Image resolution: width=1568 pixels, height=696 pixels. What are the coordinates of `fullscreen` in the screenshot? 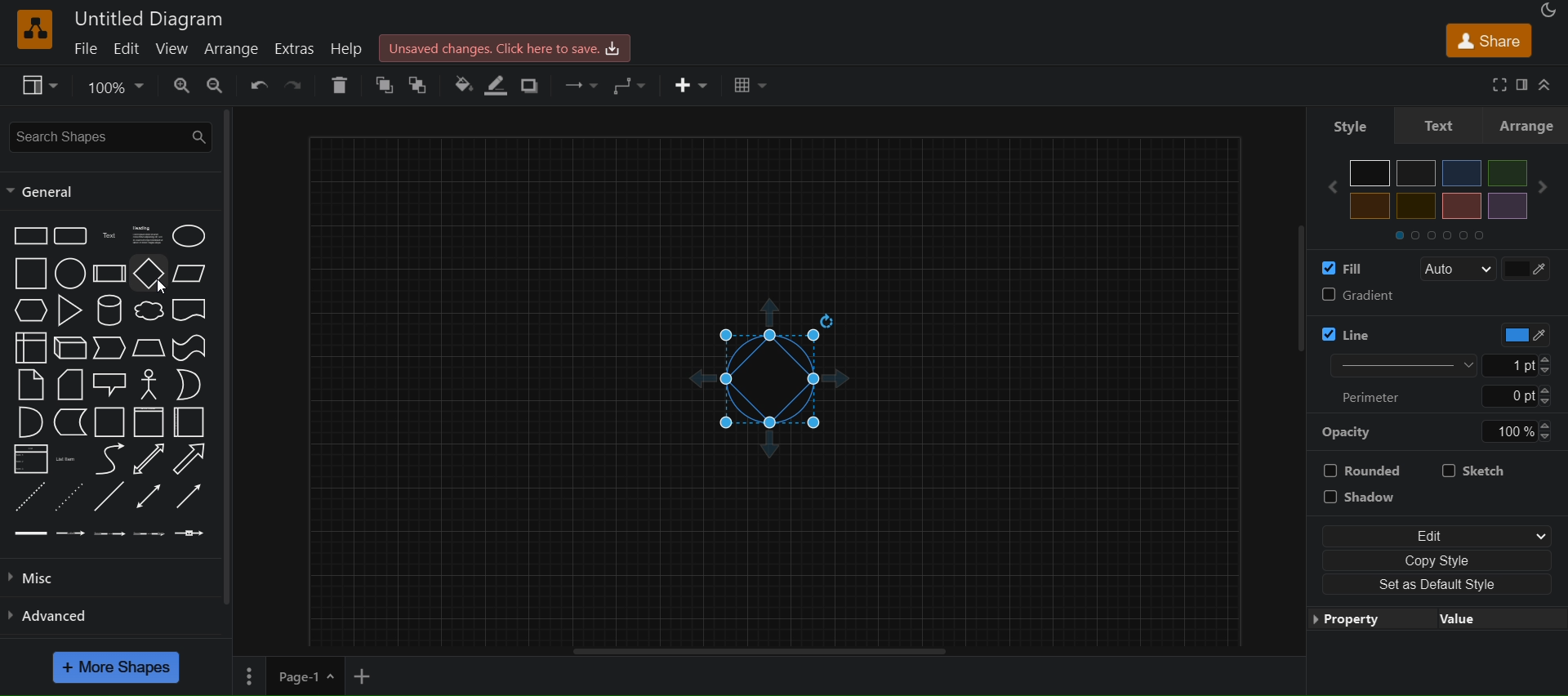 It's located at (1494, 84).